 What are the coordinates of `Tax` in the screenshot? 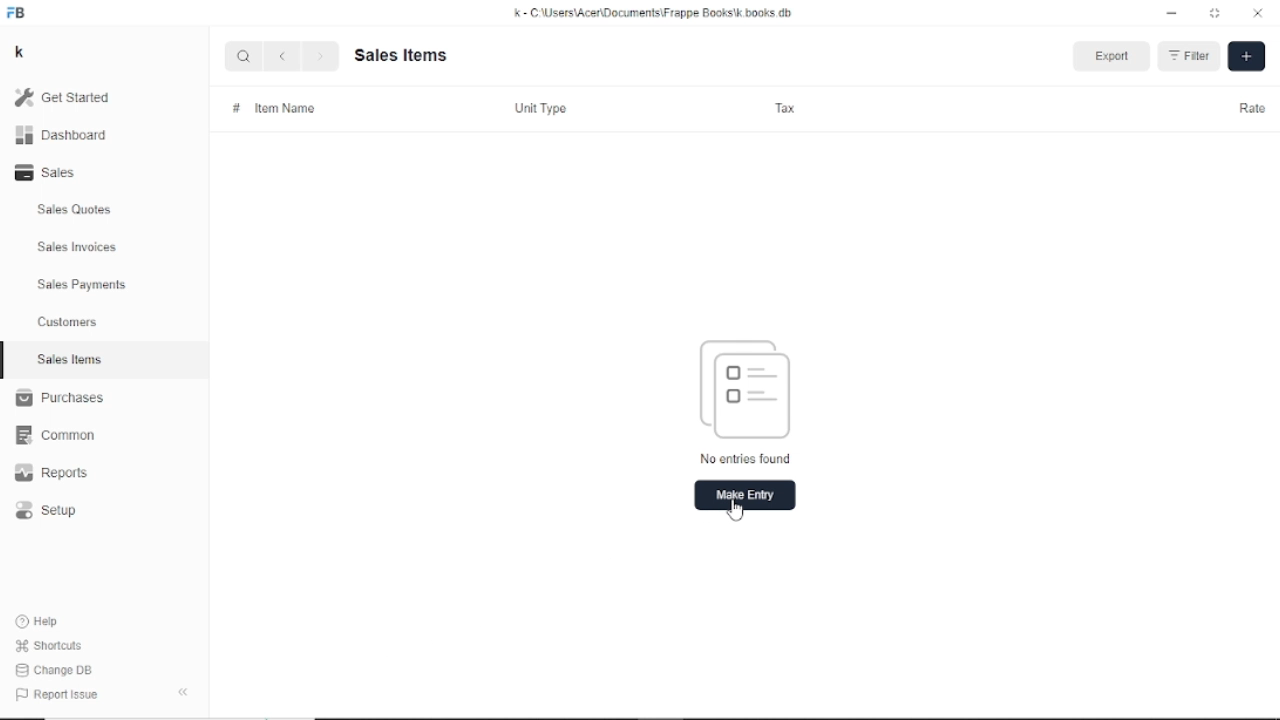 It's located at (786, 108).